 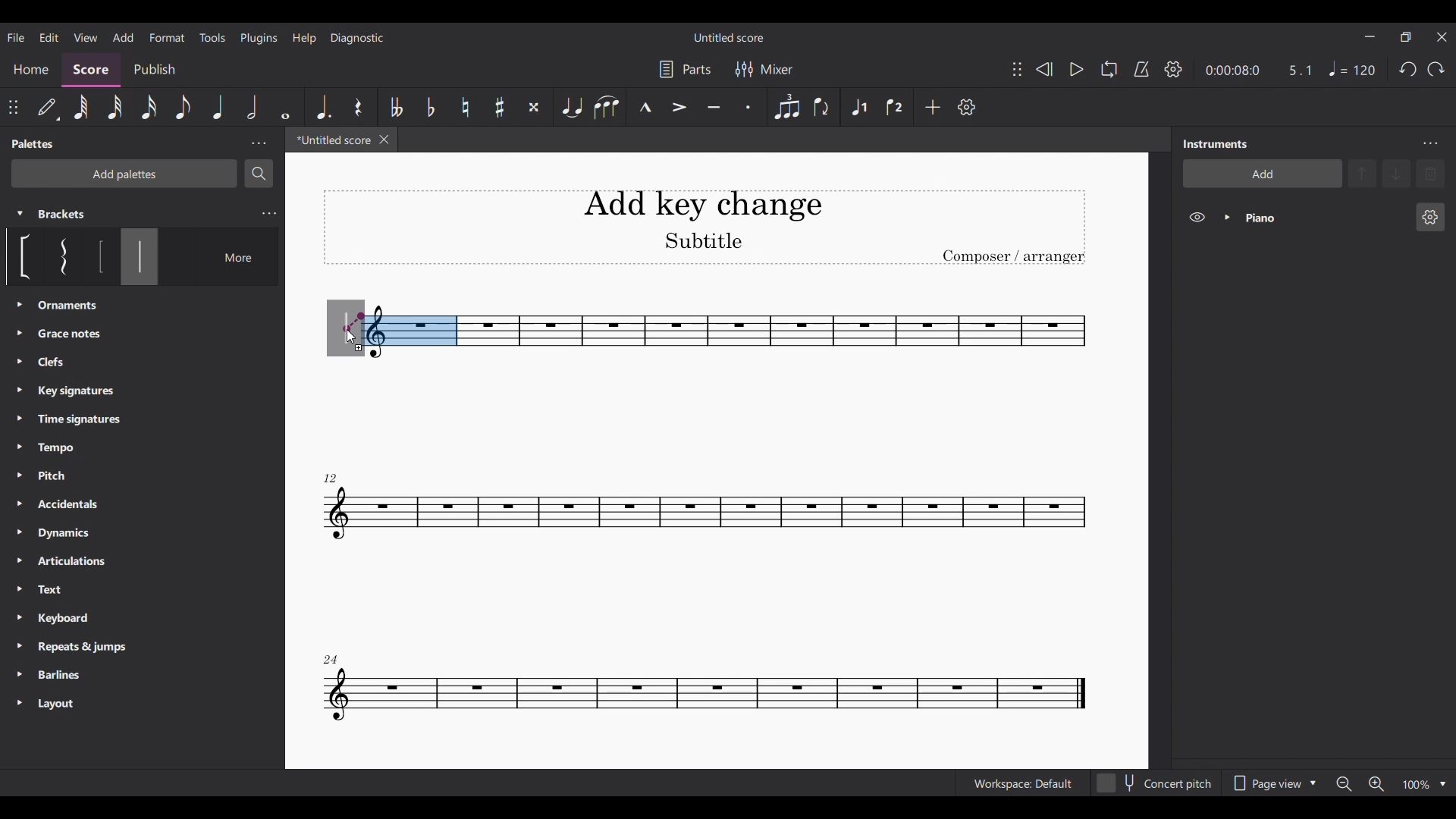 What do you see at coordinates (48, 108) in the screenshot?
I see `Default` at bounding box center [48, 108].